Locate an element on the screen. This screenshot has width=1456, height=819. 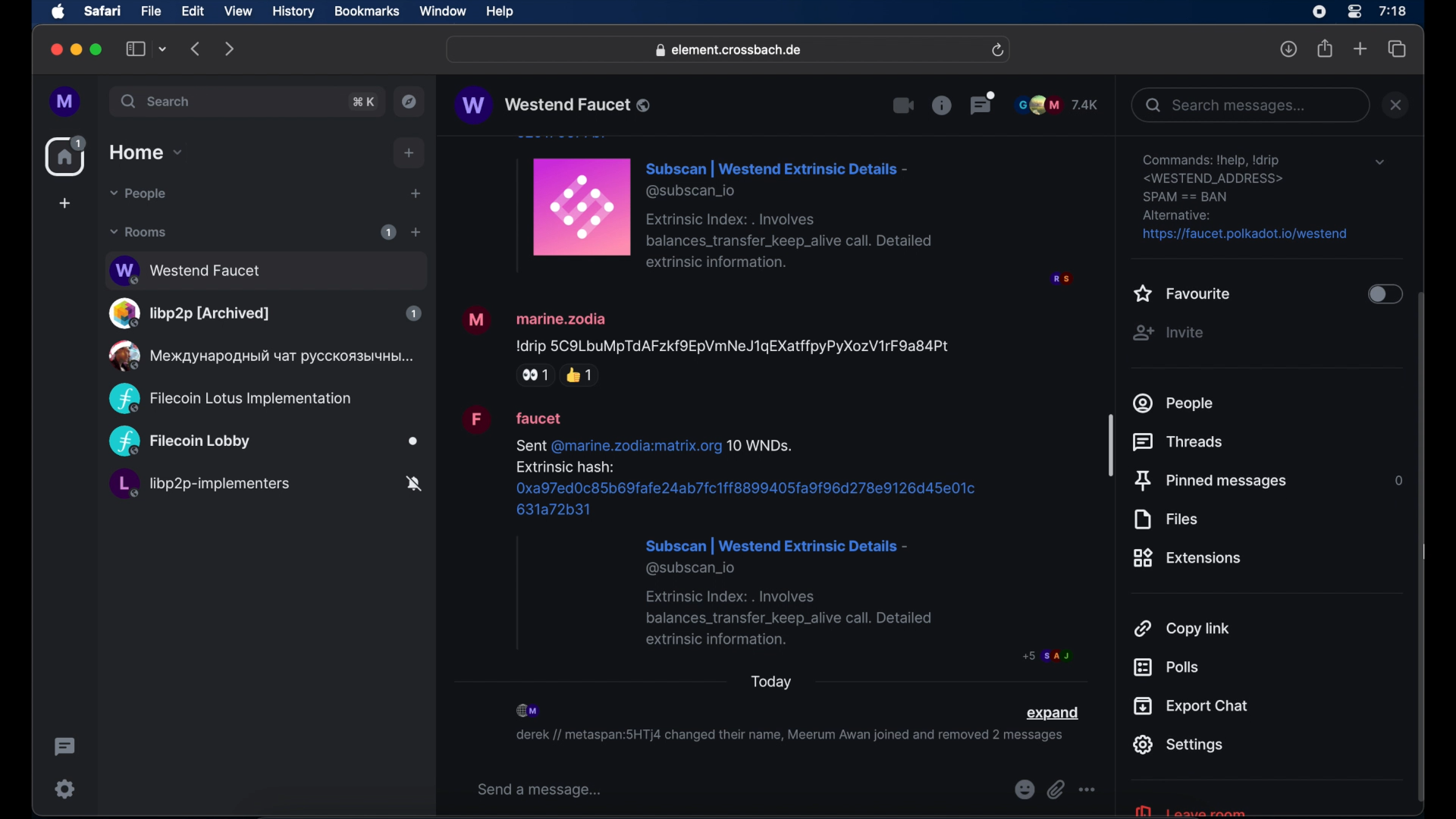
scroll bar is located at coordinates (1422, 549).